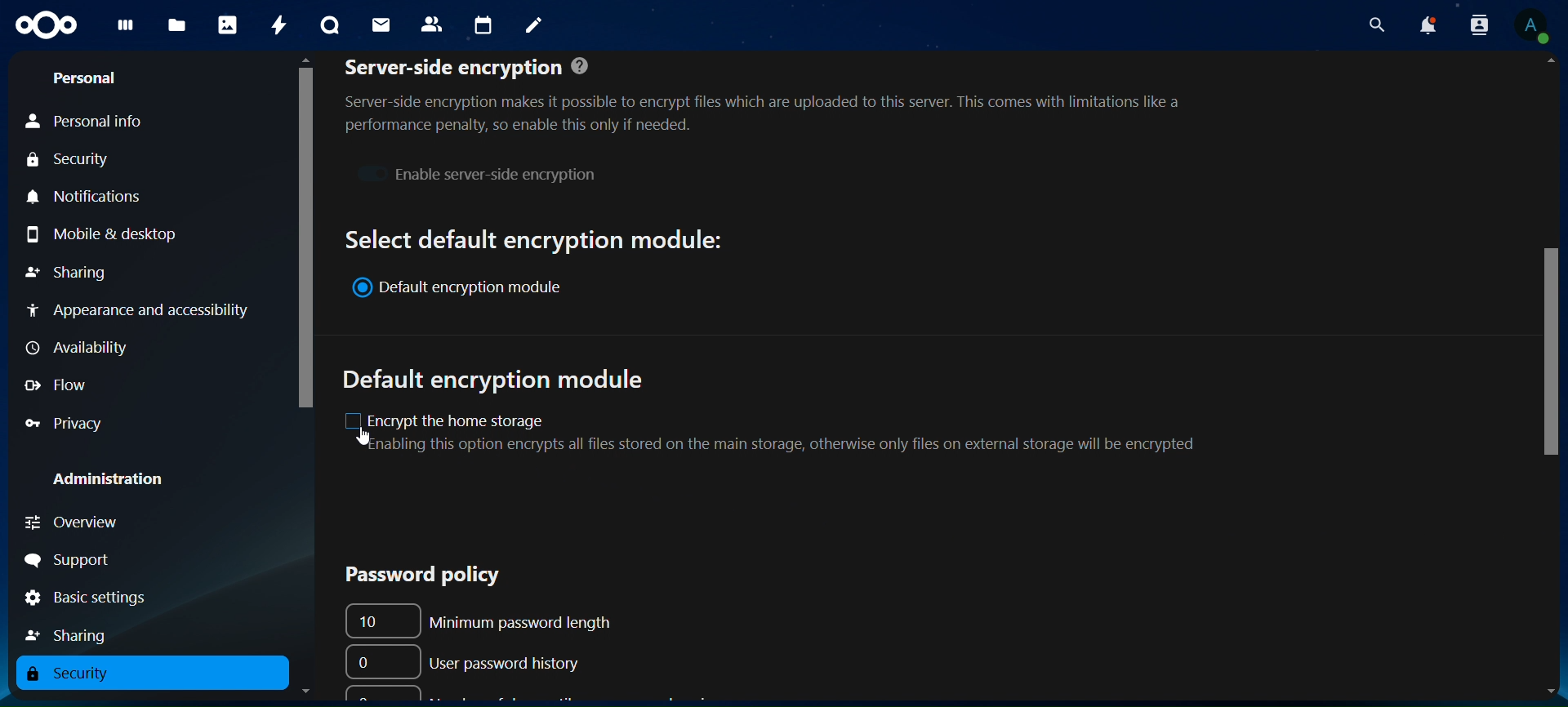 This screenshot has width=1568, height=707. I want to click on view profile, so click(1533, 26).